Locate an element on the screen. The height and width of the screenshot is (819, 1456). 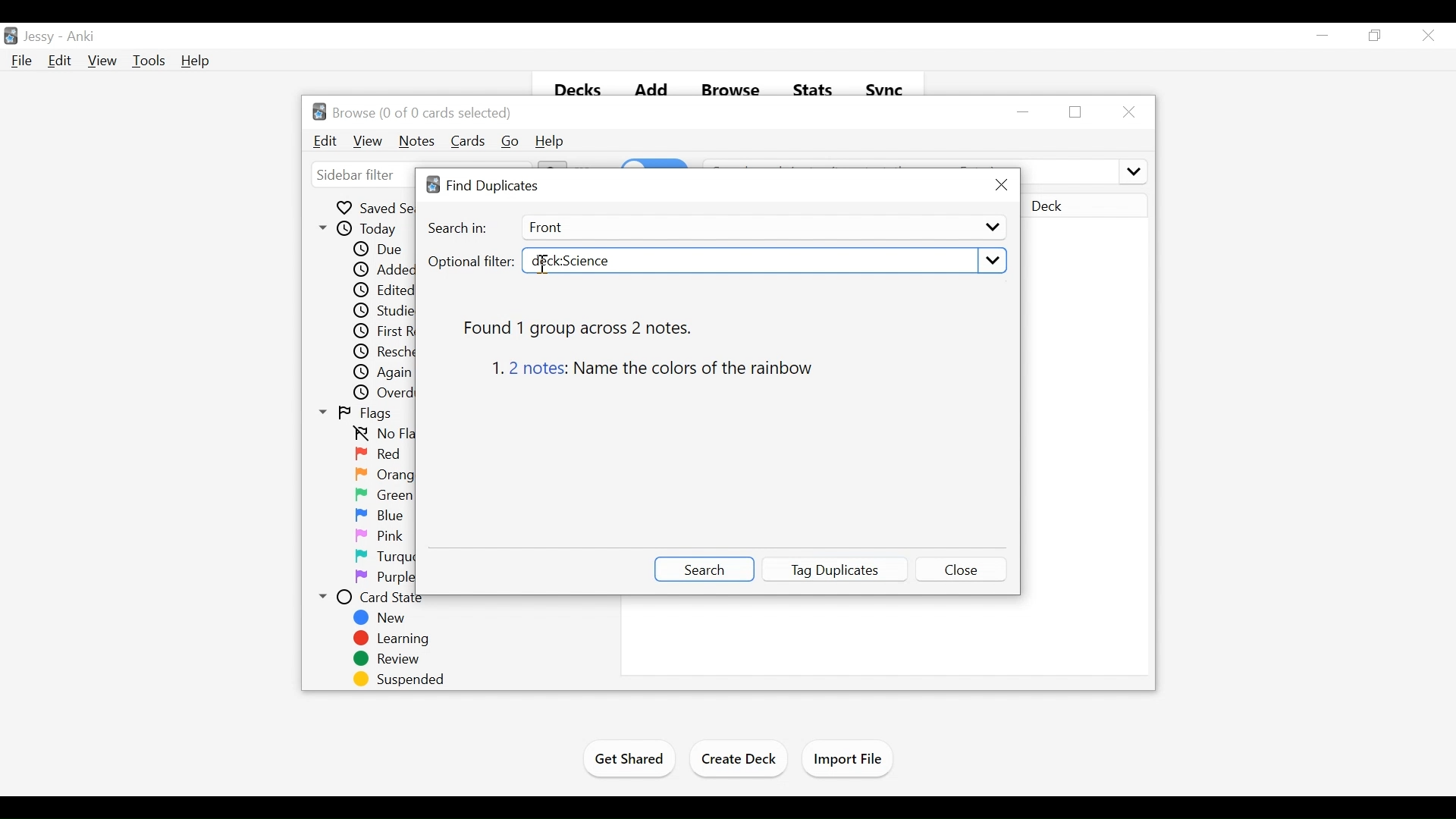
Orange is located at coordinates (385, 474).